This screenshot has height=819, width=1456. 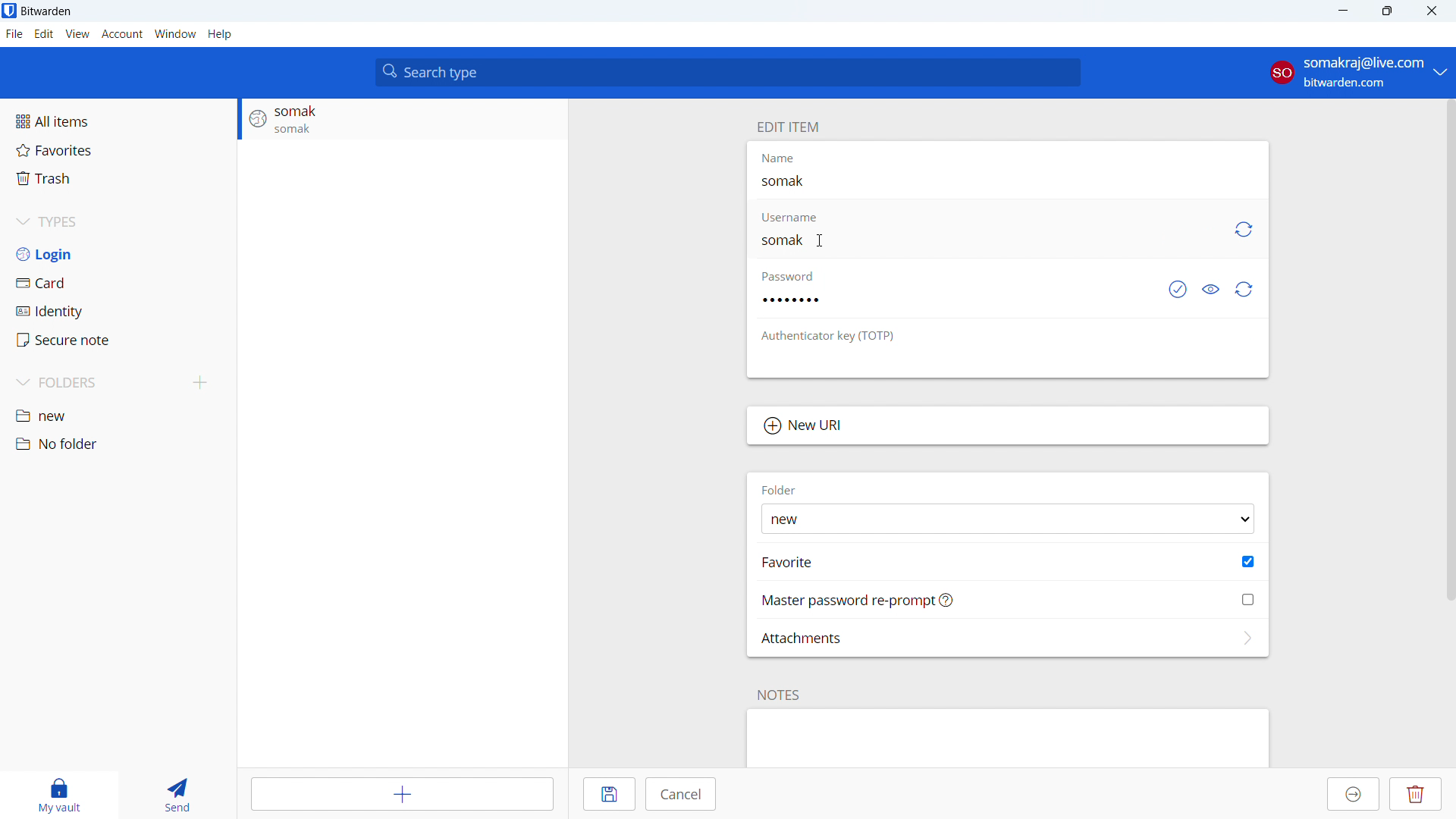 I want to click on NOTES, so click(x=780, y=695).